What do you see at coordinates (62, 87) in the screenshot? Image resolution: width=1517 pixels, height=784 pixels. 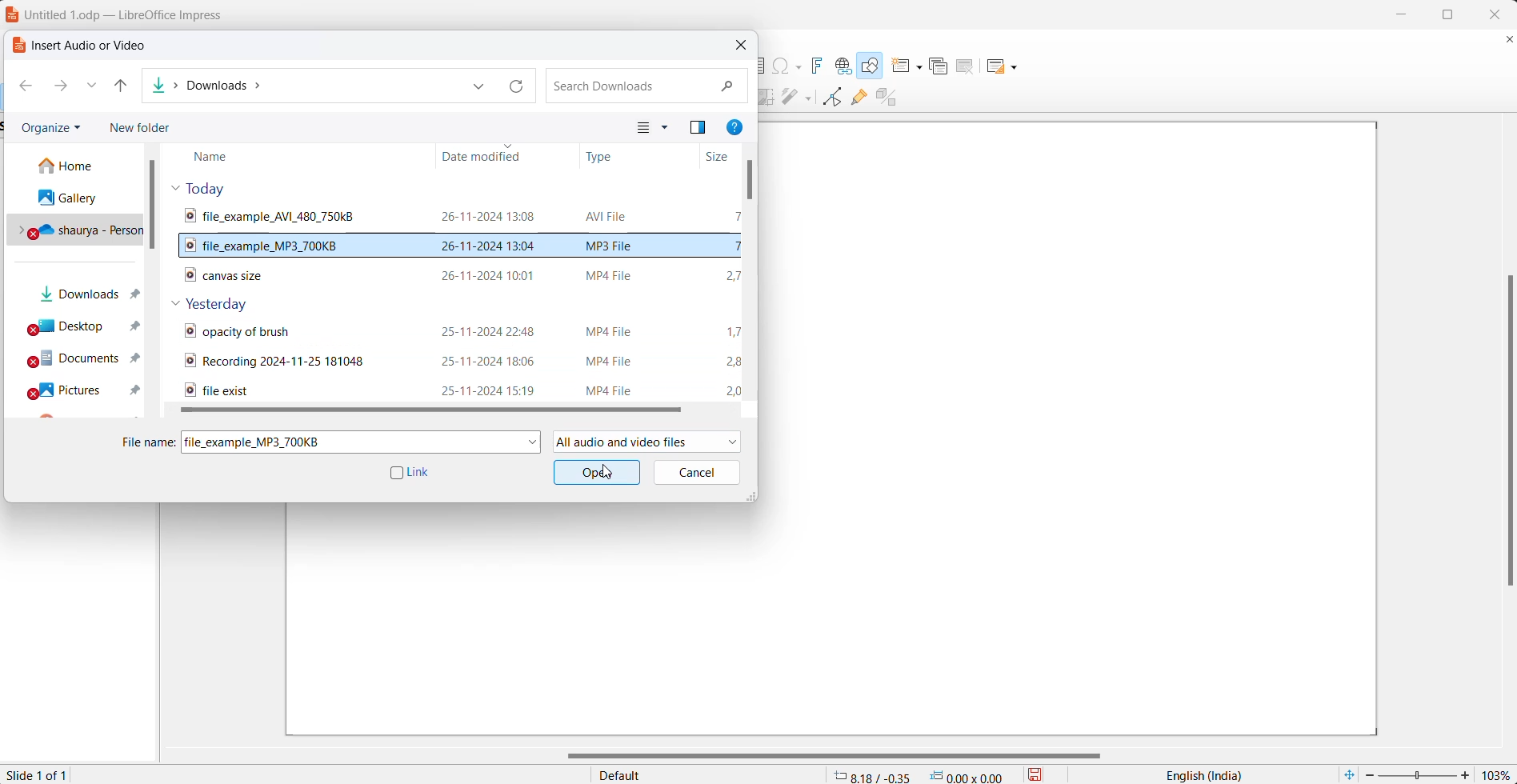 I see `go forward` at bounding box center [62, 87].